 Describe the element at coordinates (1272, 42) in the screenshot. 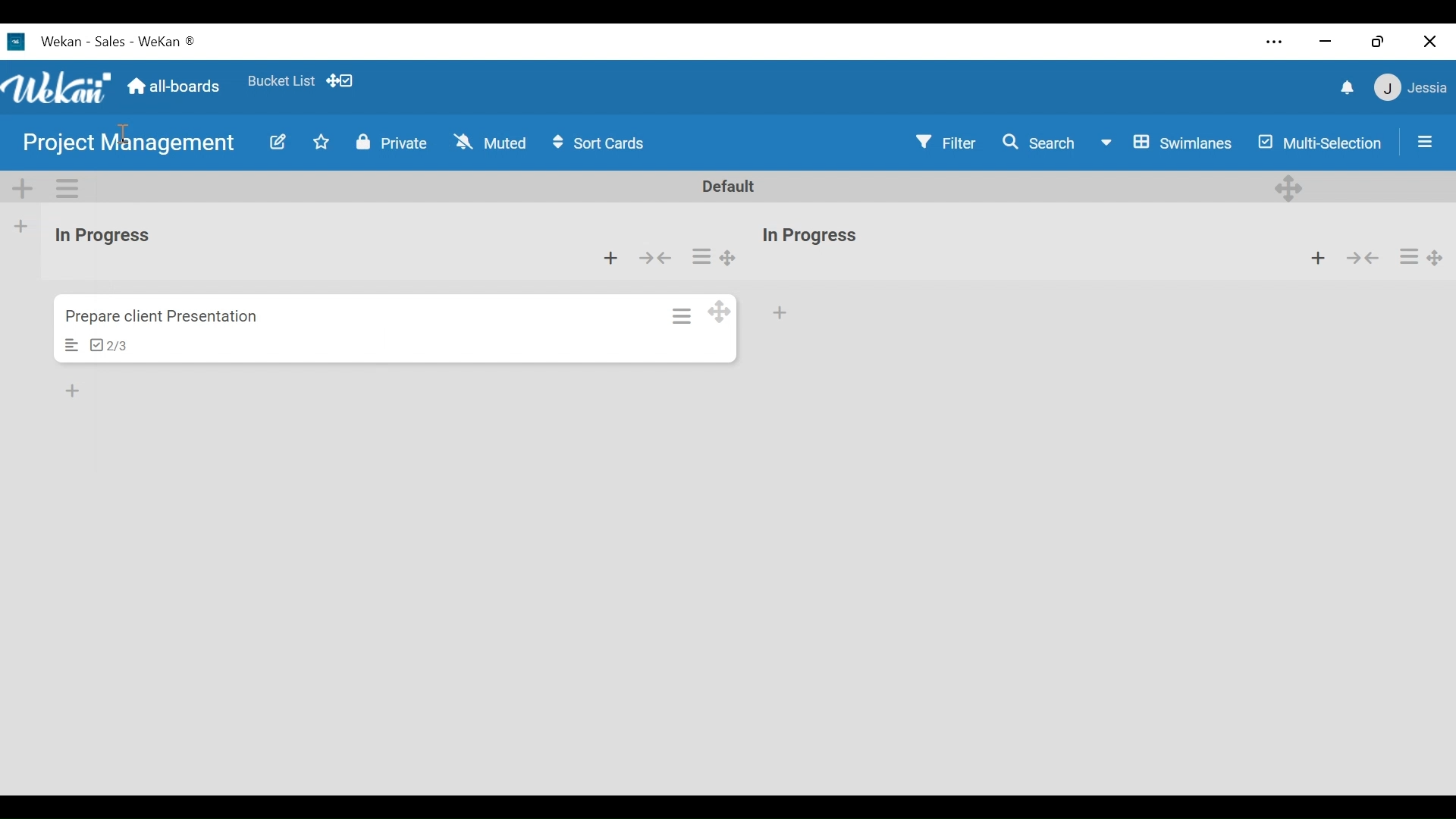

I see `settings and more` at that location.